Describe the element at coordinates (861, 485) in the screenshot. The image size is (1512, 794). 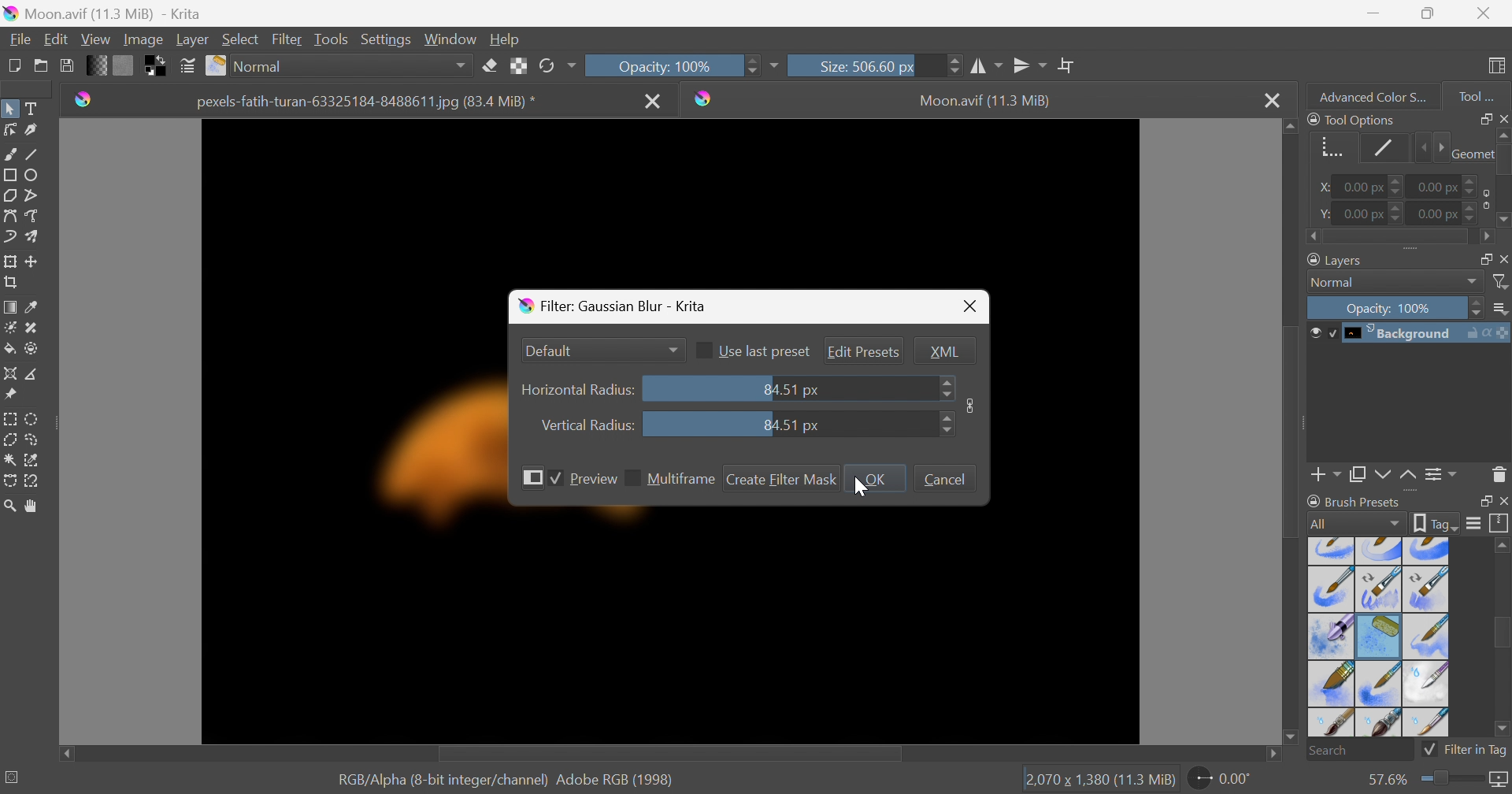
I see `Cursor` at that location.